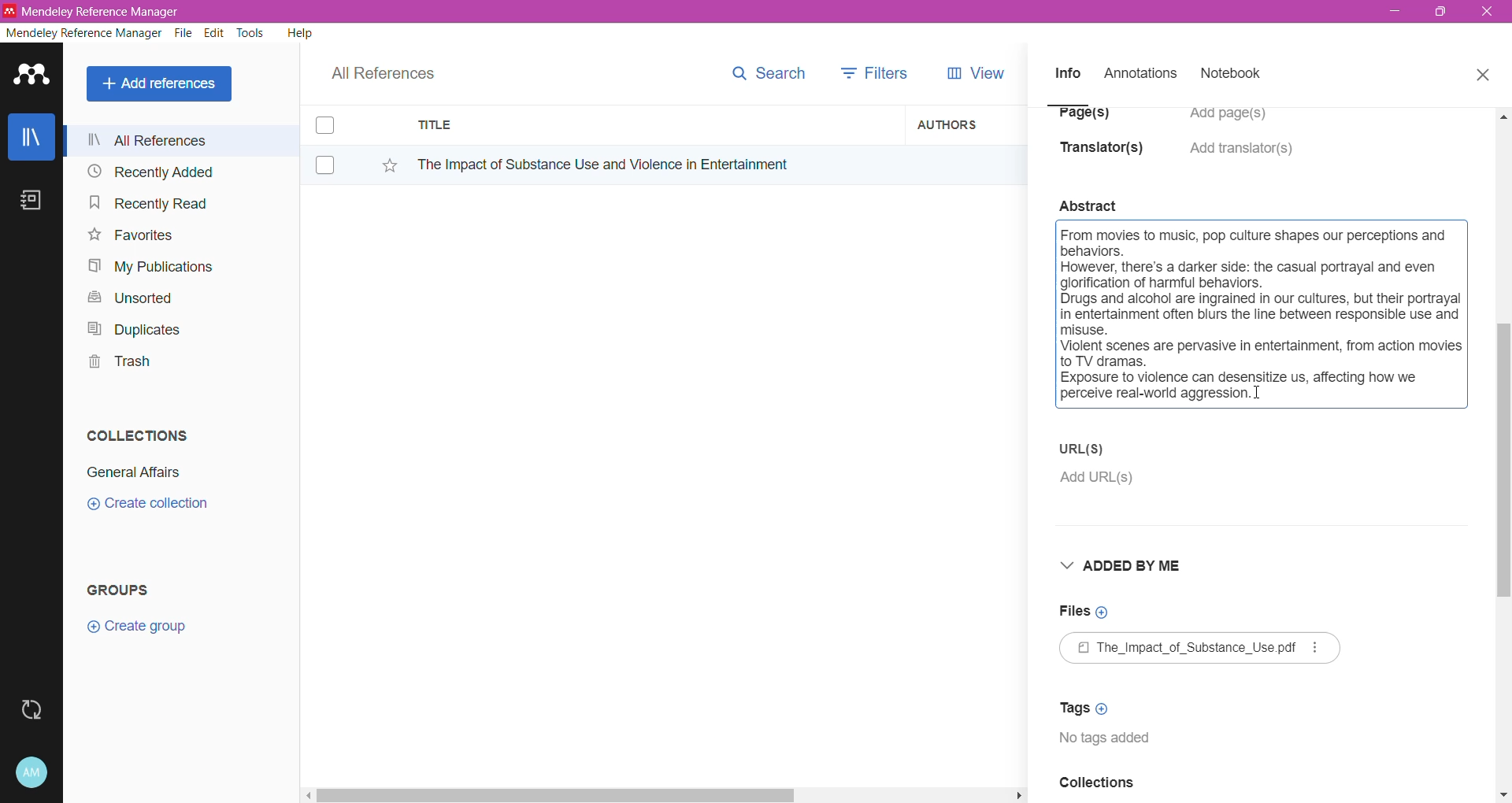 Image resolution: width=1512 pixels, height=803 pixels. Describe the element at coordinates (180, 140) in the screenshot. I see `All References` at that location.